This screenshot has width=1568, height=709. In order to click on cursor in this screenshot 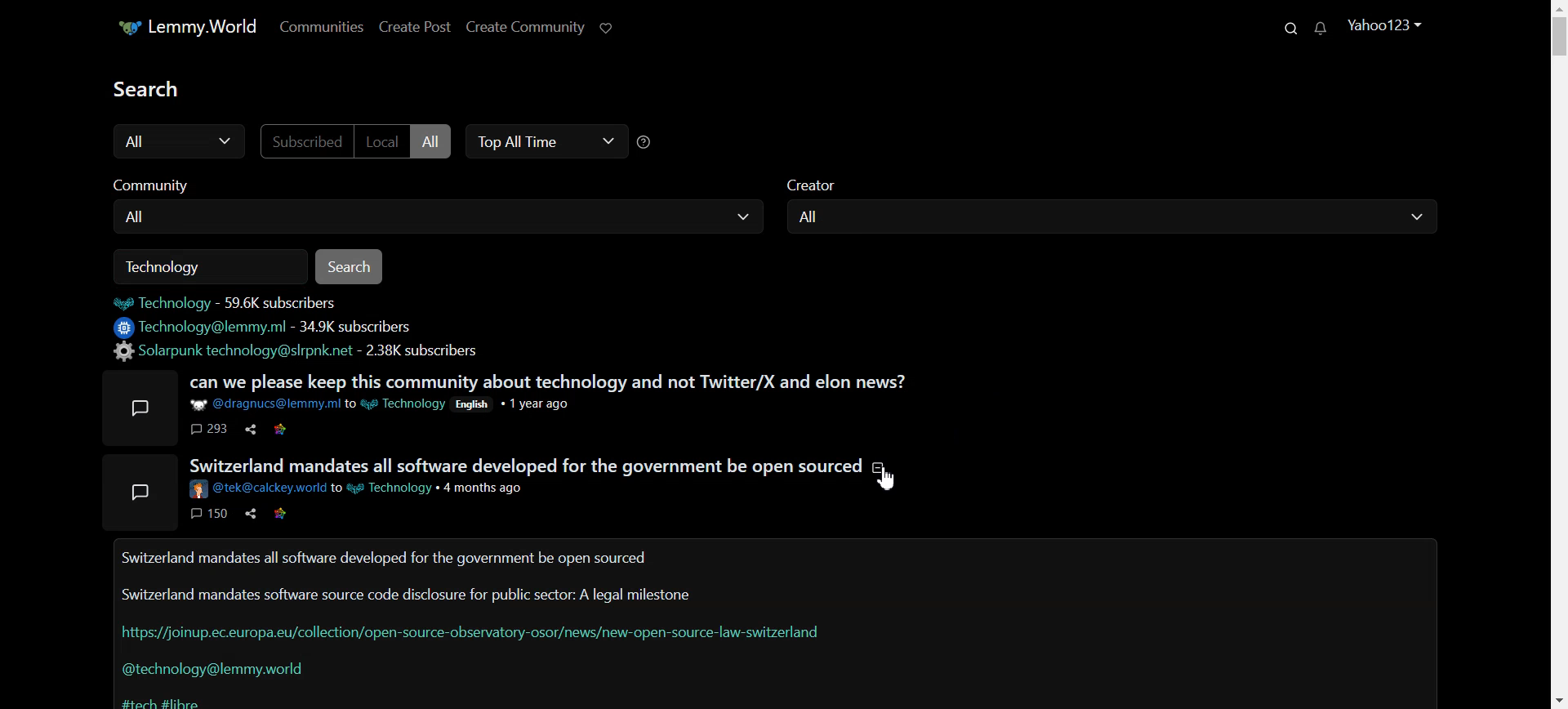, I will do `click(886, 480)`.